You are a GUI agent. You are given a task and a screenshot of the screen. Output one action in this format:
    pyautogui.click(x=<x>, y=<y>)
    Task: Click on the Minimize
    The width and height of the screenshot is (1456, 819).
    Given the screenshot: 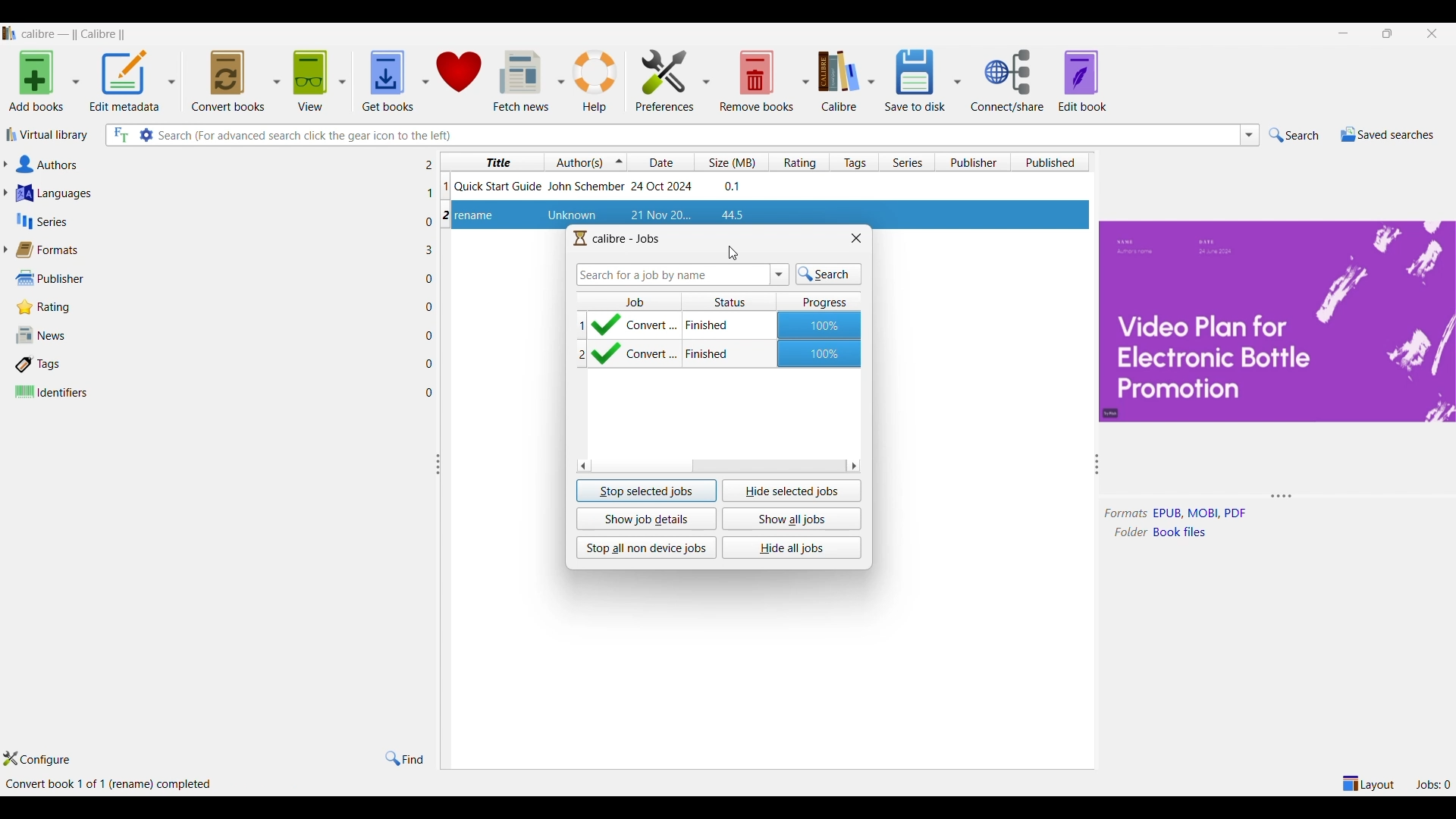 What is the action you would take?
    pyautogui.click(x=1343, y=33)
    